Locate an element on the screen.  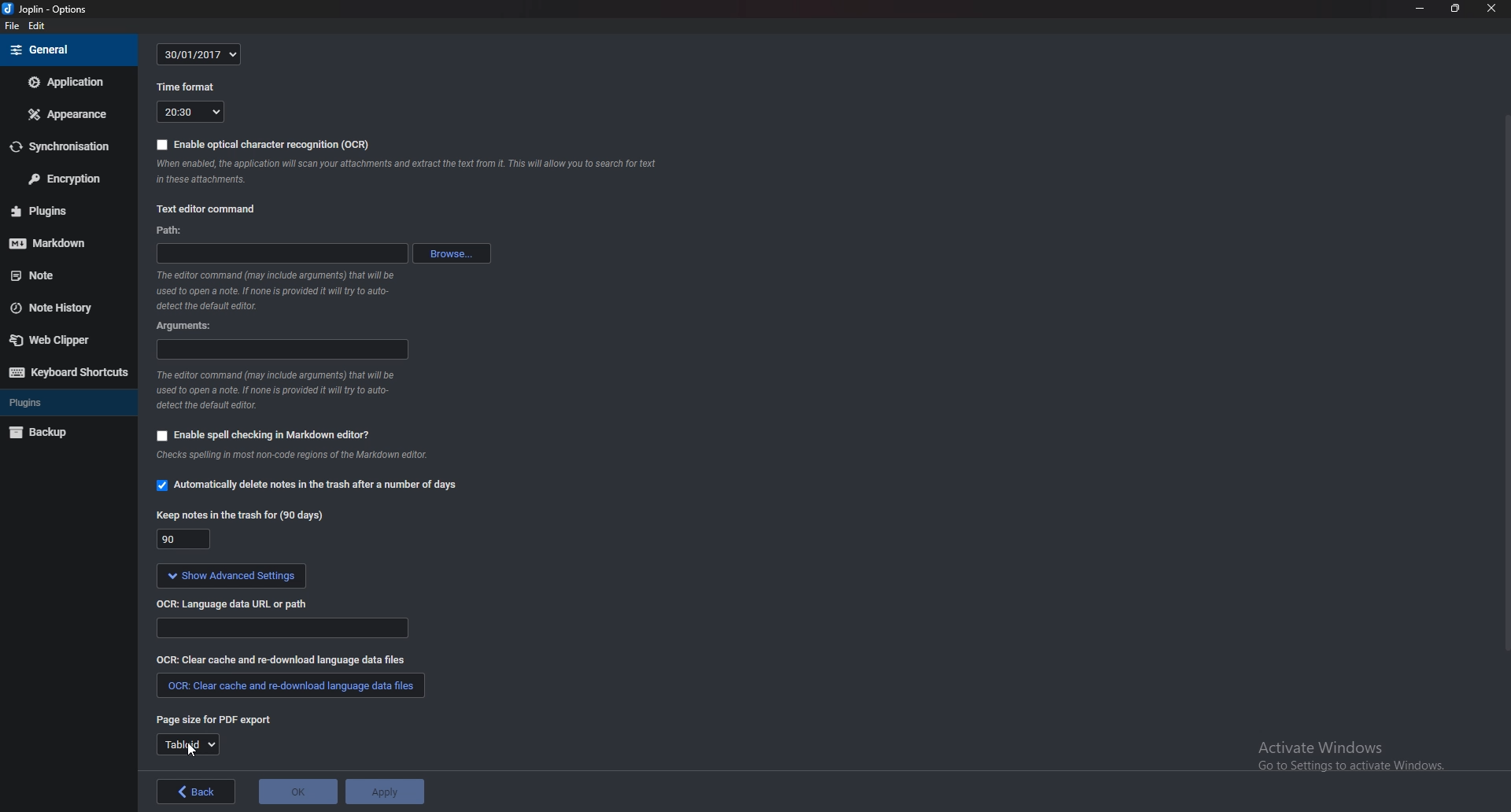
General is located at coordinates (66, 51).